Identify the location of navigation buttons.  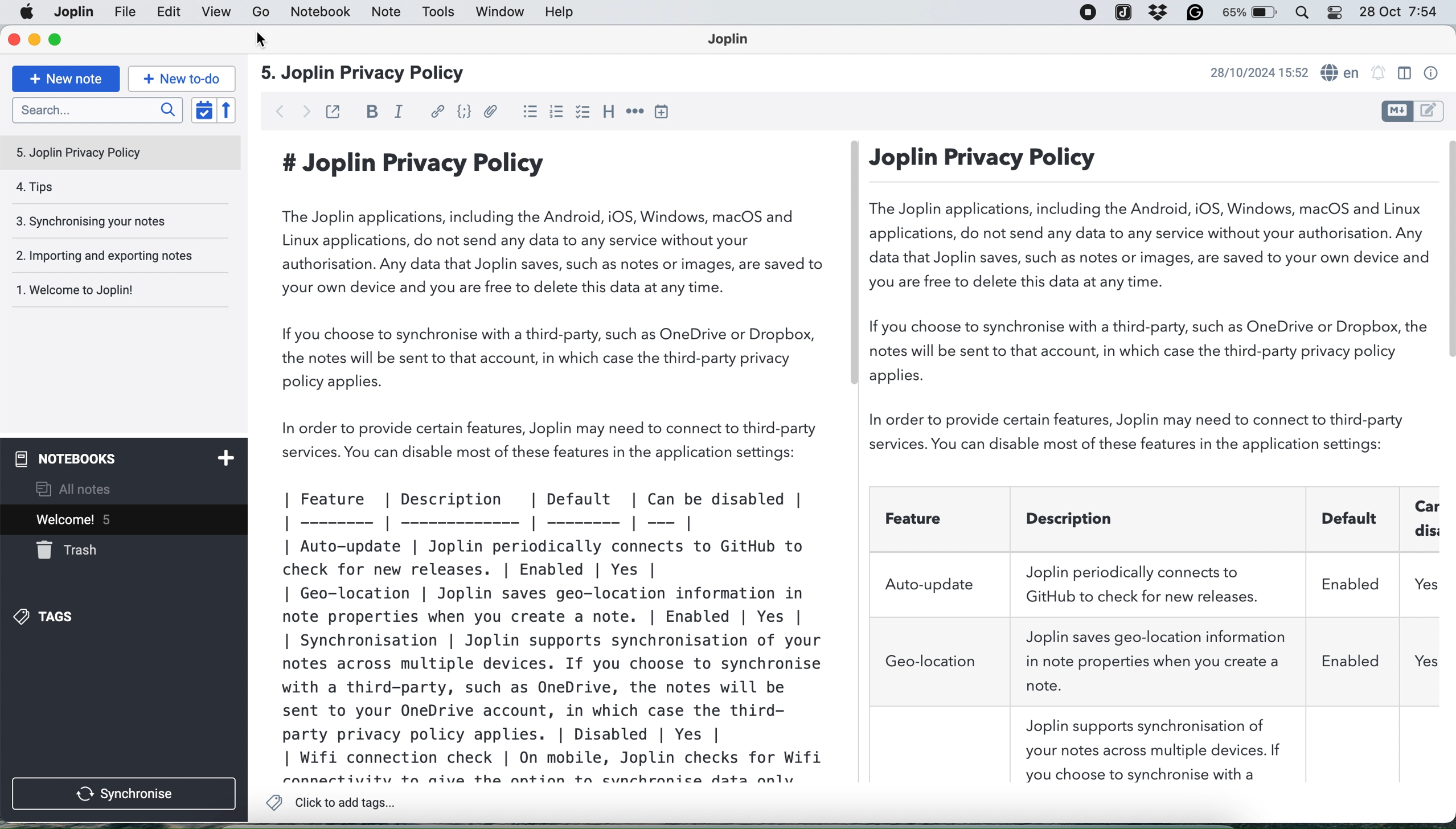
(294, 113).